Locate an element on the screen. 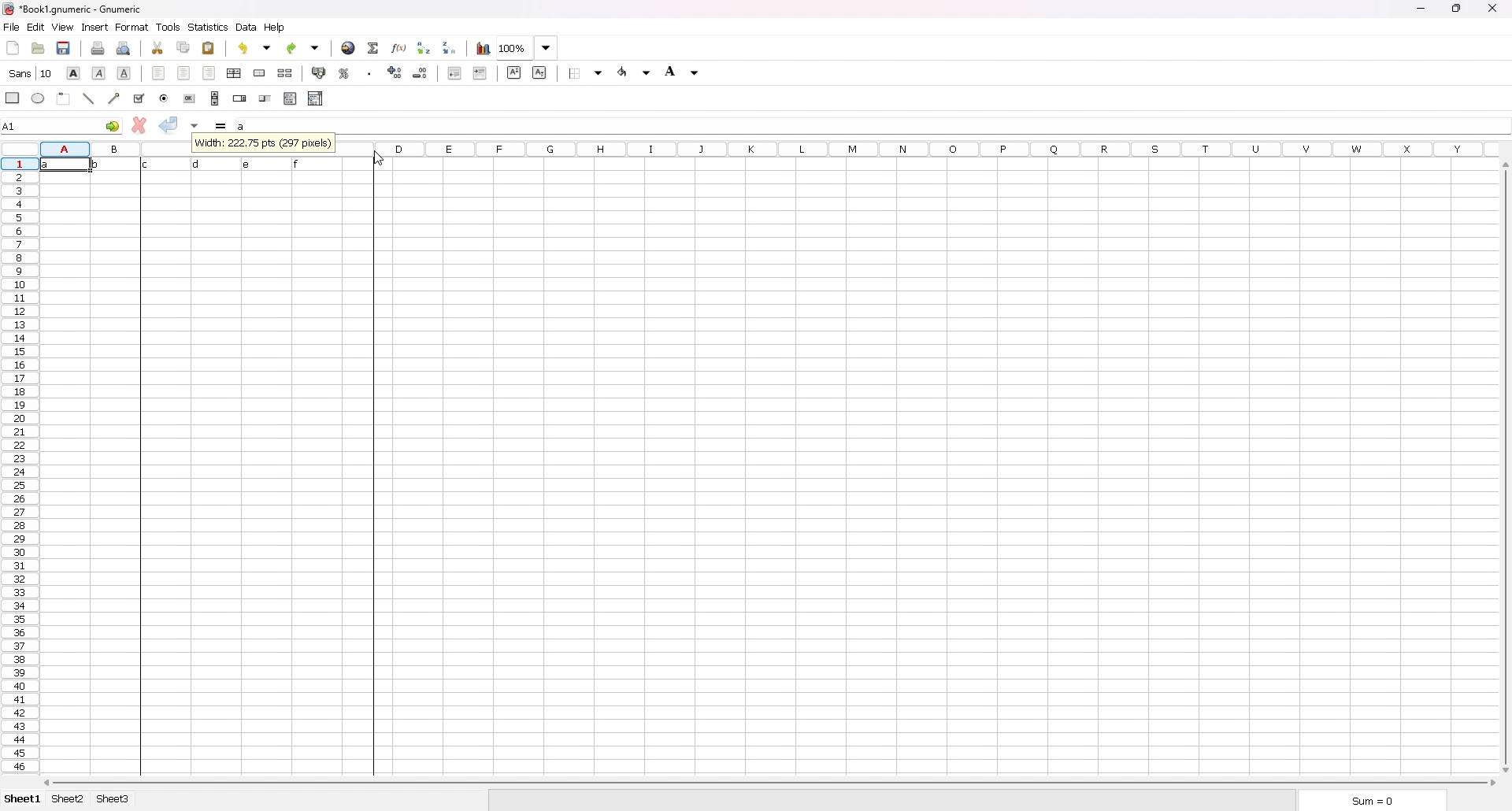 The image size is (1512, 811). scroll bar is located at coordinates (1506, 468).